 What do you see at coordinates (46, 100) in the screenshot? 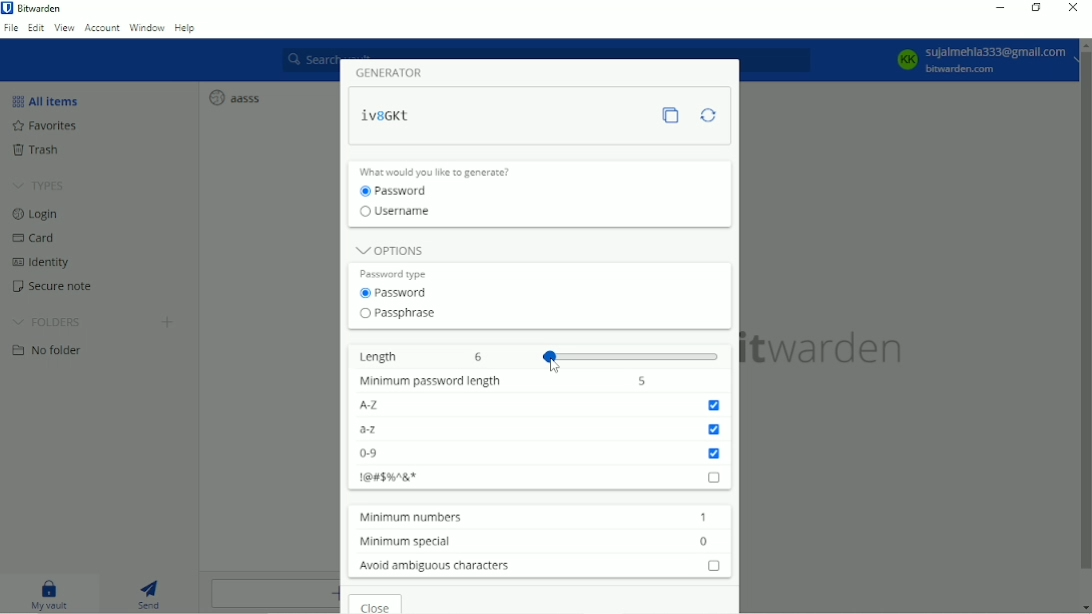
I see `All item` at bounding box center [46, 100].